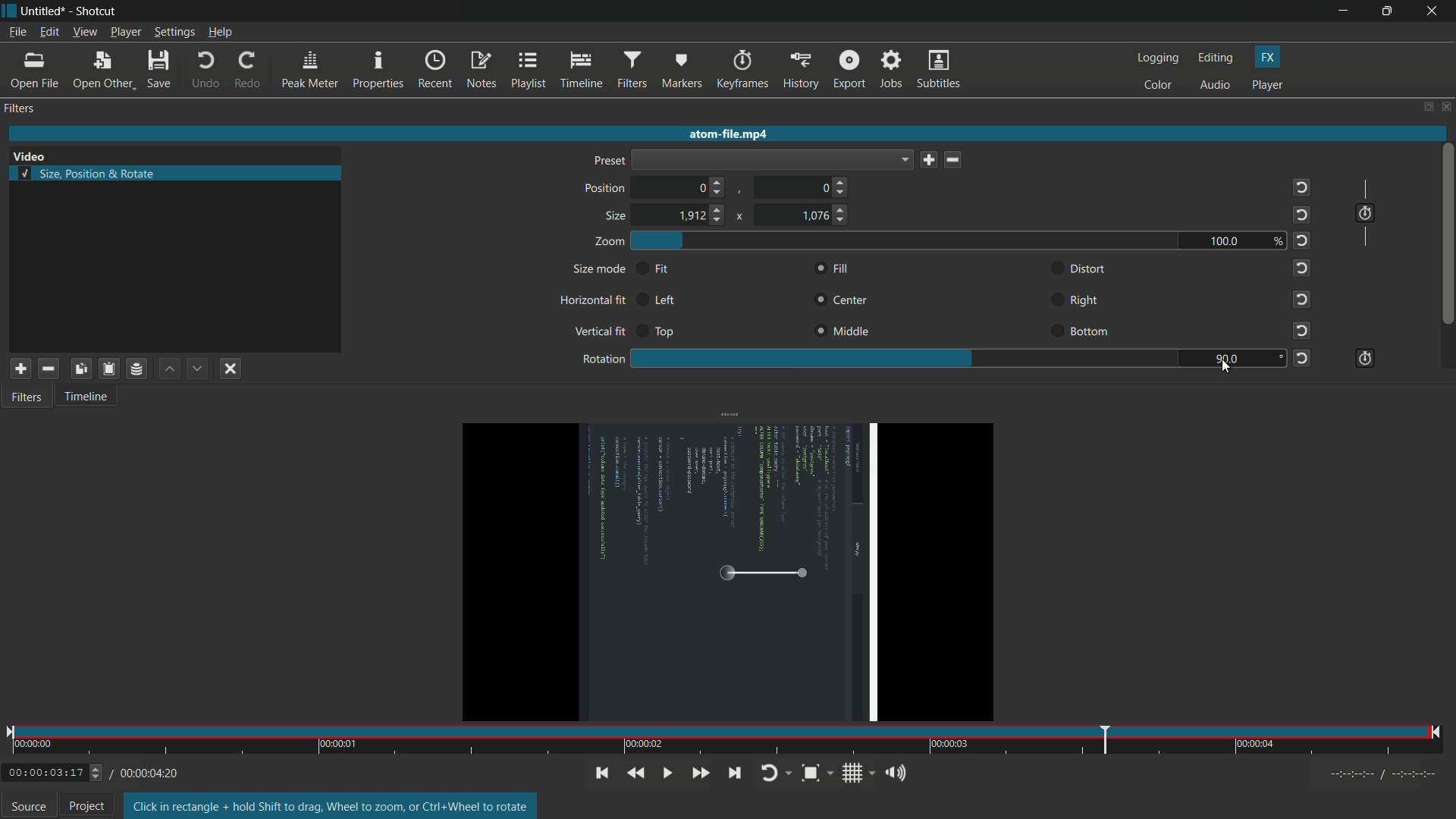 This screenshot has height=819, width=1456. Describe the element at coordinates (1302, 331) in the screenshot. I see `` at that location.